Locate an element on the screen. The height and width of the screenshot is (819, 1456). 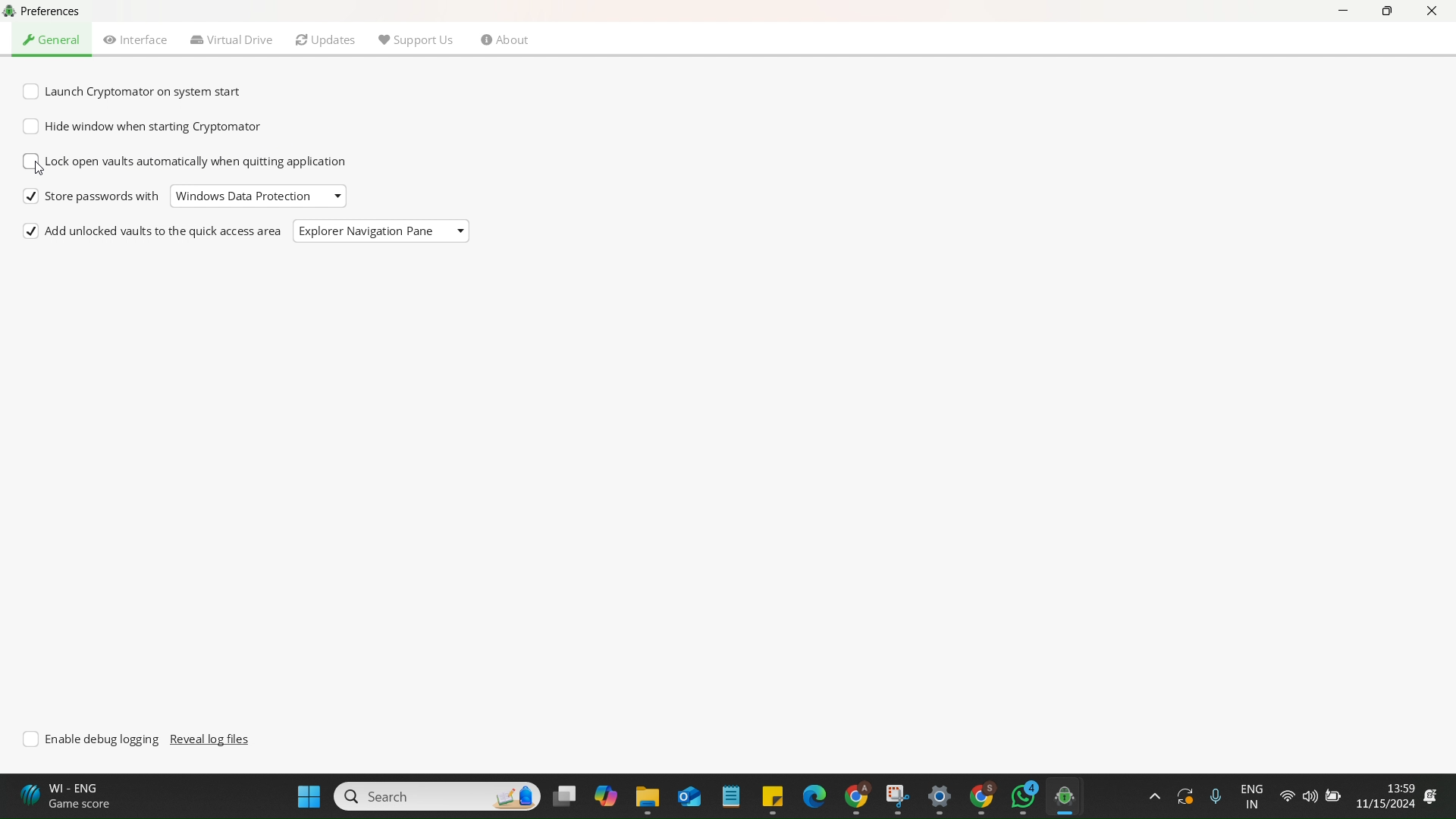
General is located at coordinates (53, 39).